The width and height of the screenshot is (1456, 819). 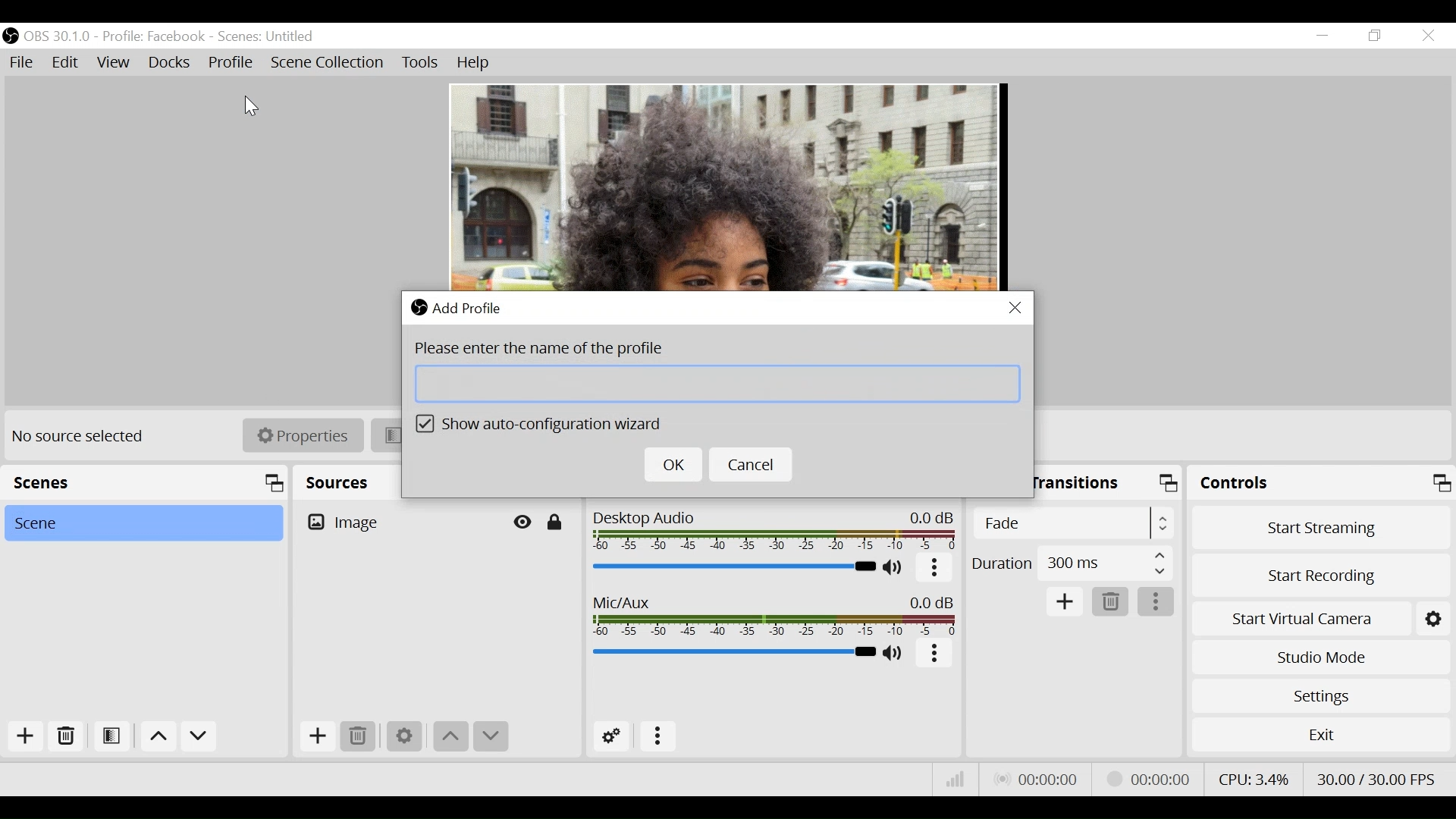 I want to click on More options, so click(x=1156, y=602).